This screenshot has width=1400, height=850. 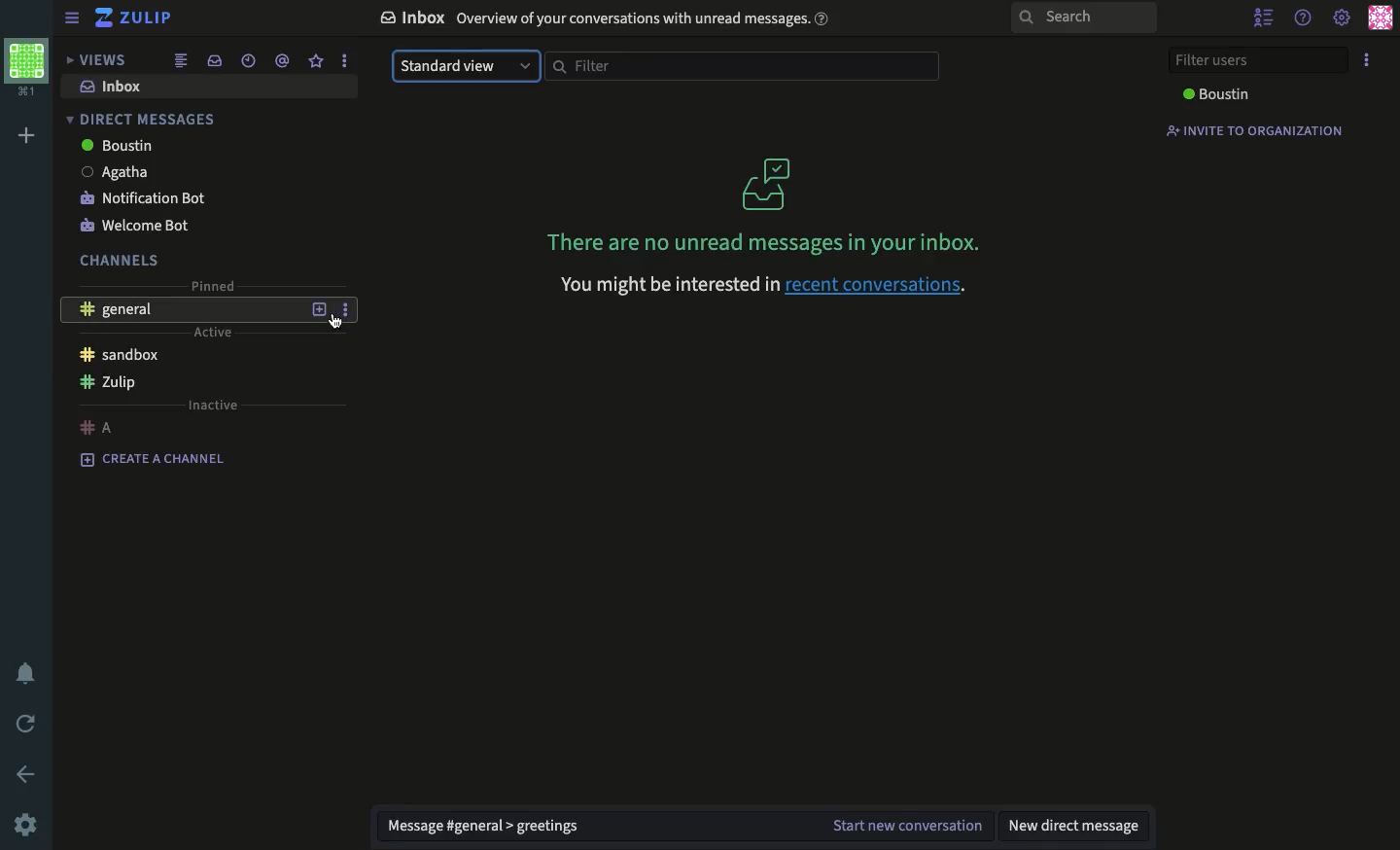 What do you see at coordinates (24, 675) in the screenshot?
I see `notification` at bounding box center [24, 675].